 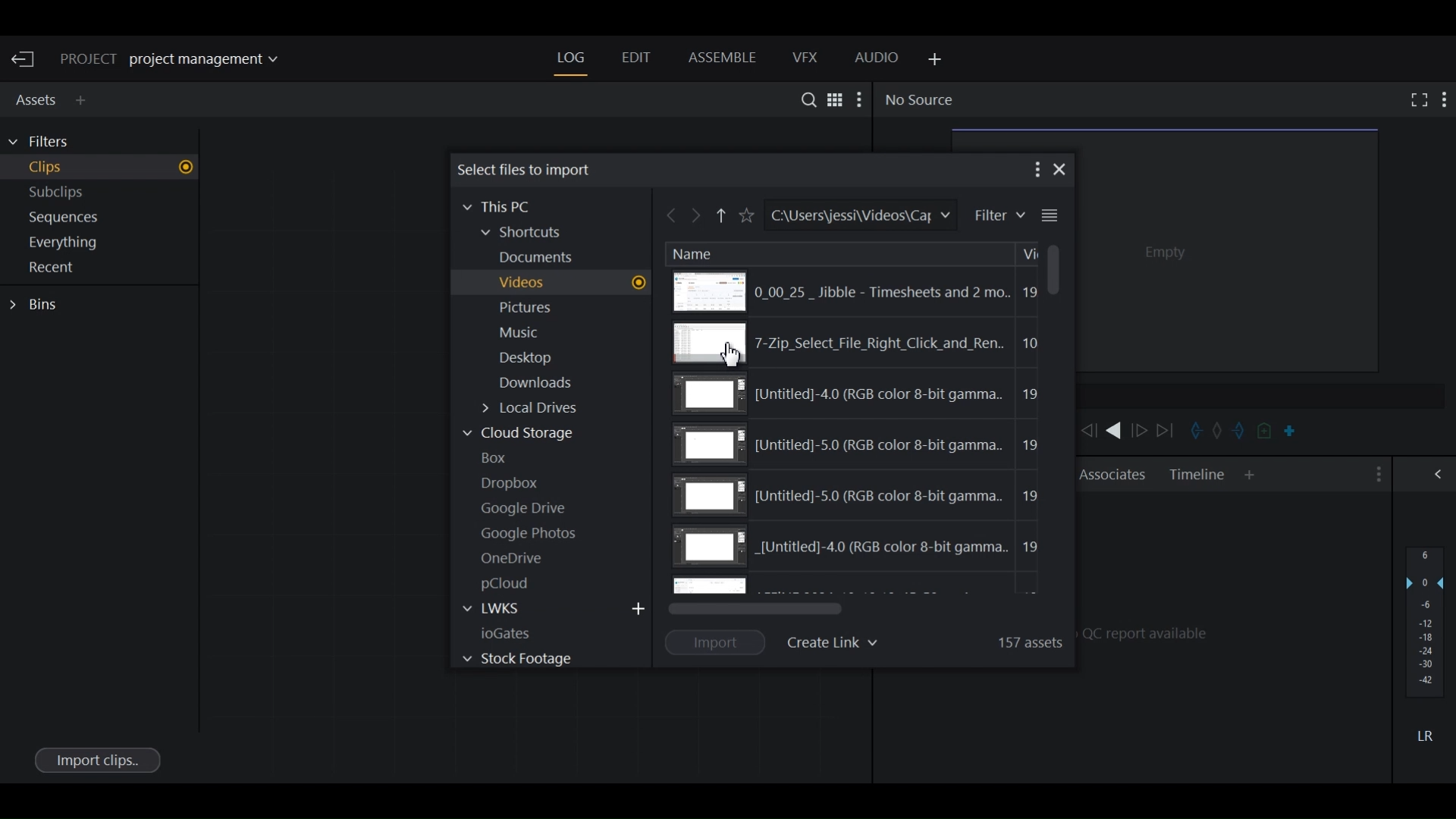 I want to click on Edit, so click(x=635, y=59).